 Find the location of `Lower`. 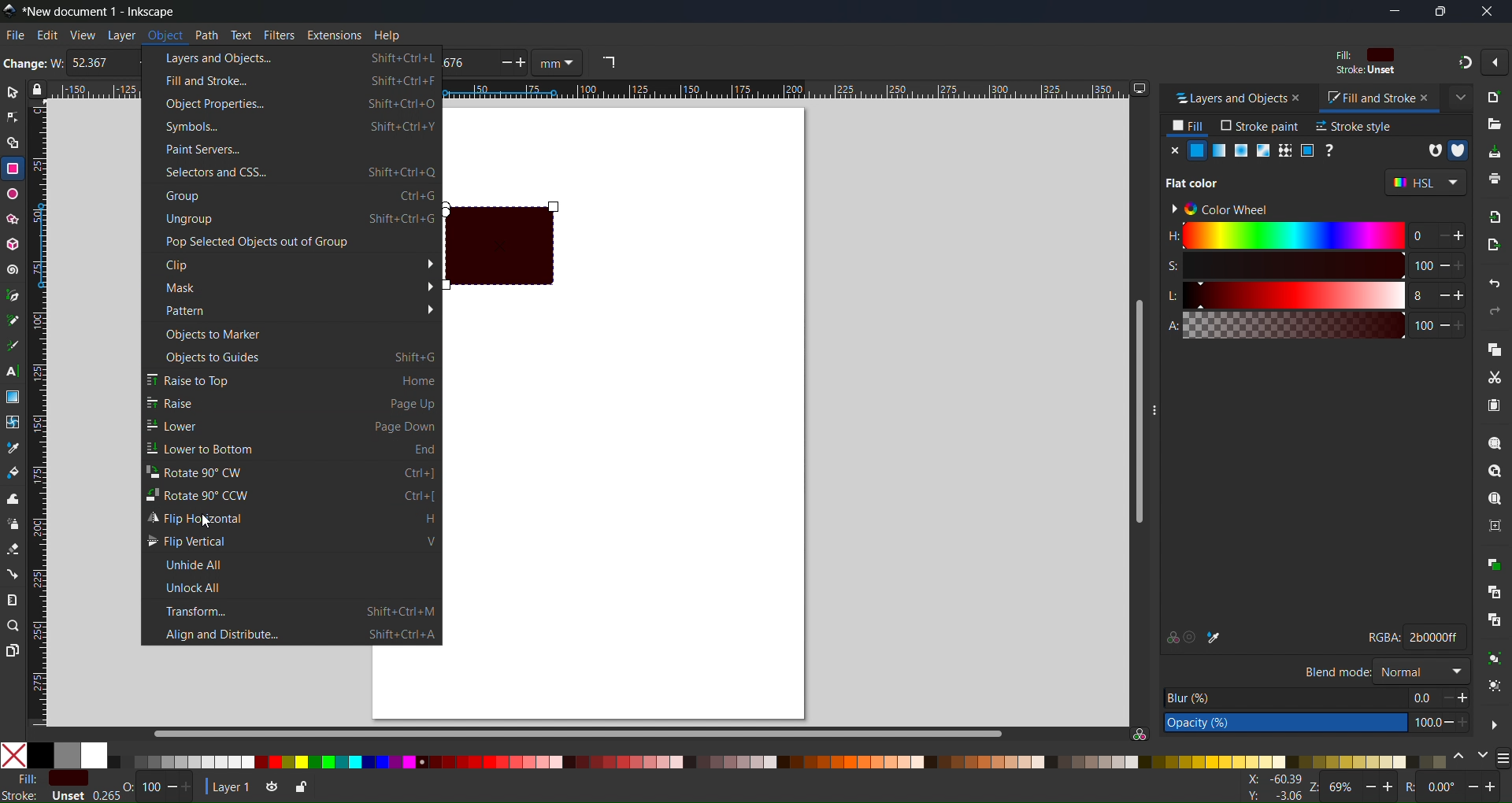

Lower is located at coordinates (291, 425).